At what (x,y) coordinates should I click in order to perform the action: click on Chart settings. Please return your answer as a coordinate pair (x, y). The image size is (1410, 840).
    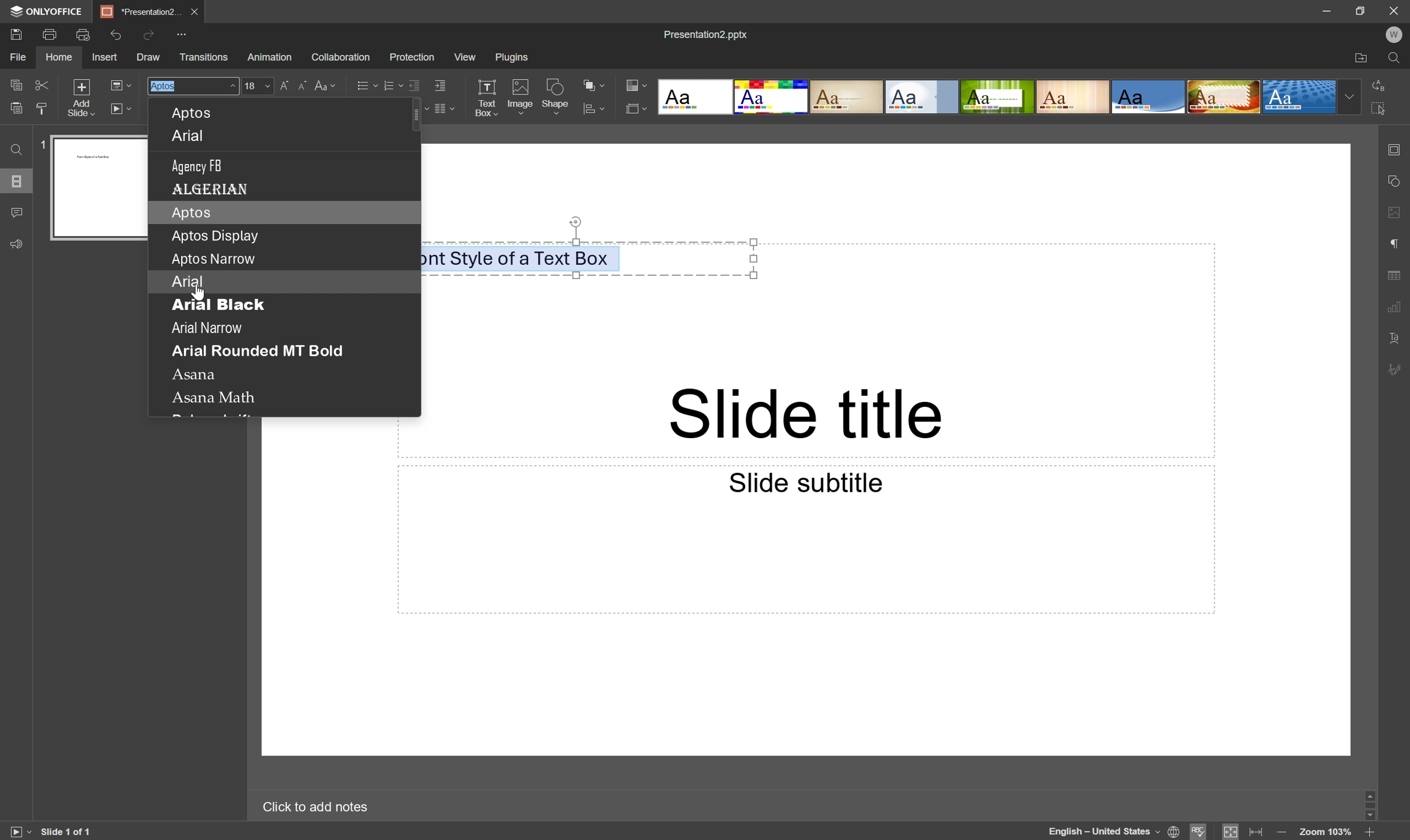
    Looking at the image, I should click on (1399, 309).